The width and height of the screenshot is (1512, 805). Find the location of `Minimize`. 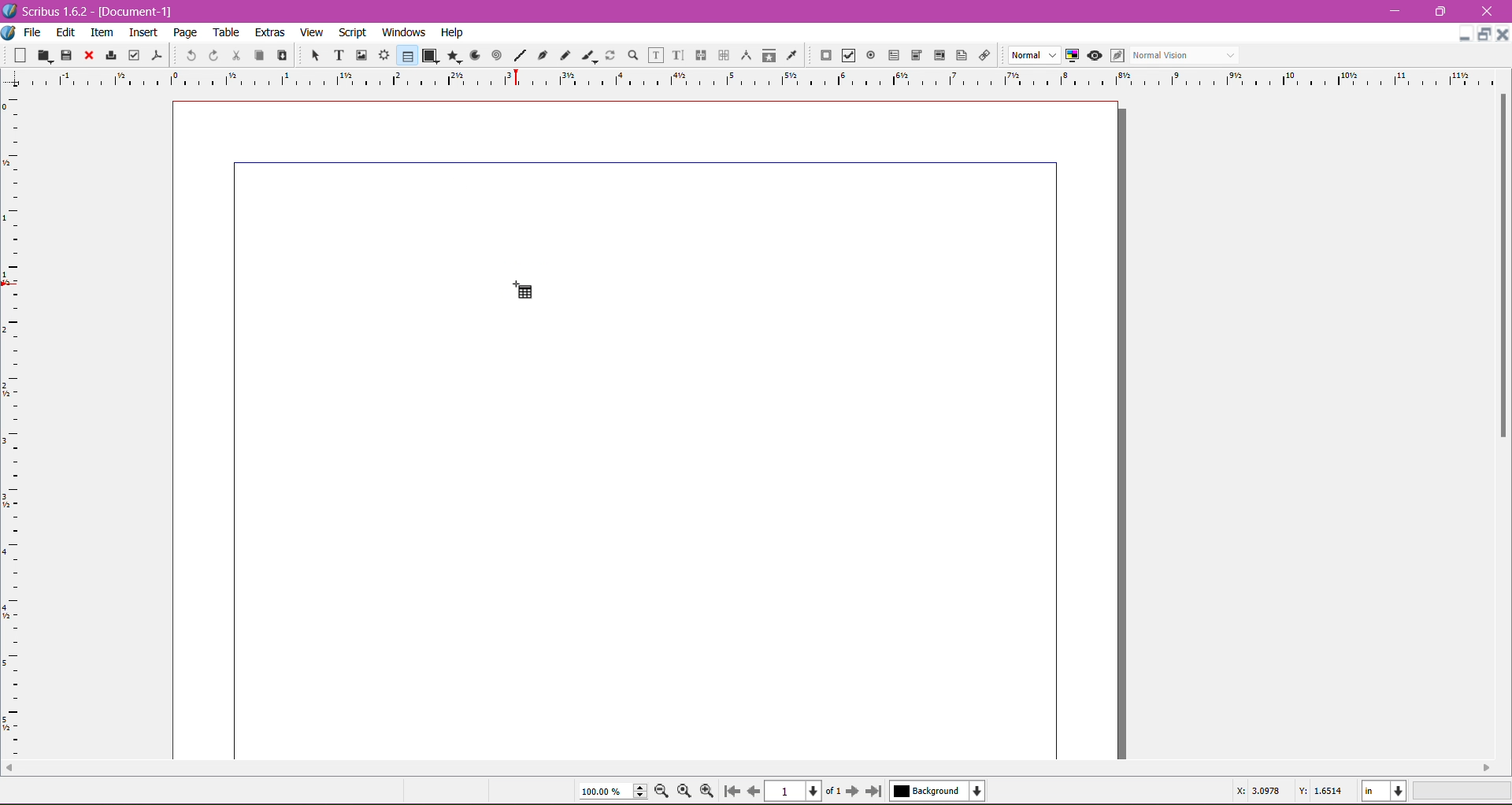

Minimize is located at coordinates (1399, 9).